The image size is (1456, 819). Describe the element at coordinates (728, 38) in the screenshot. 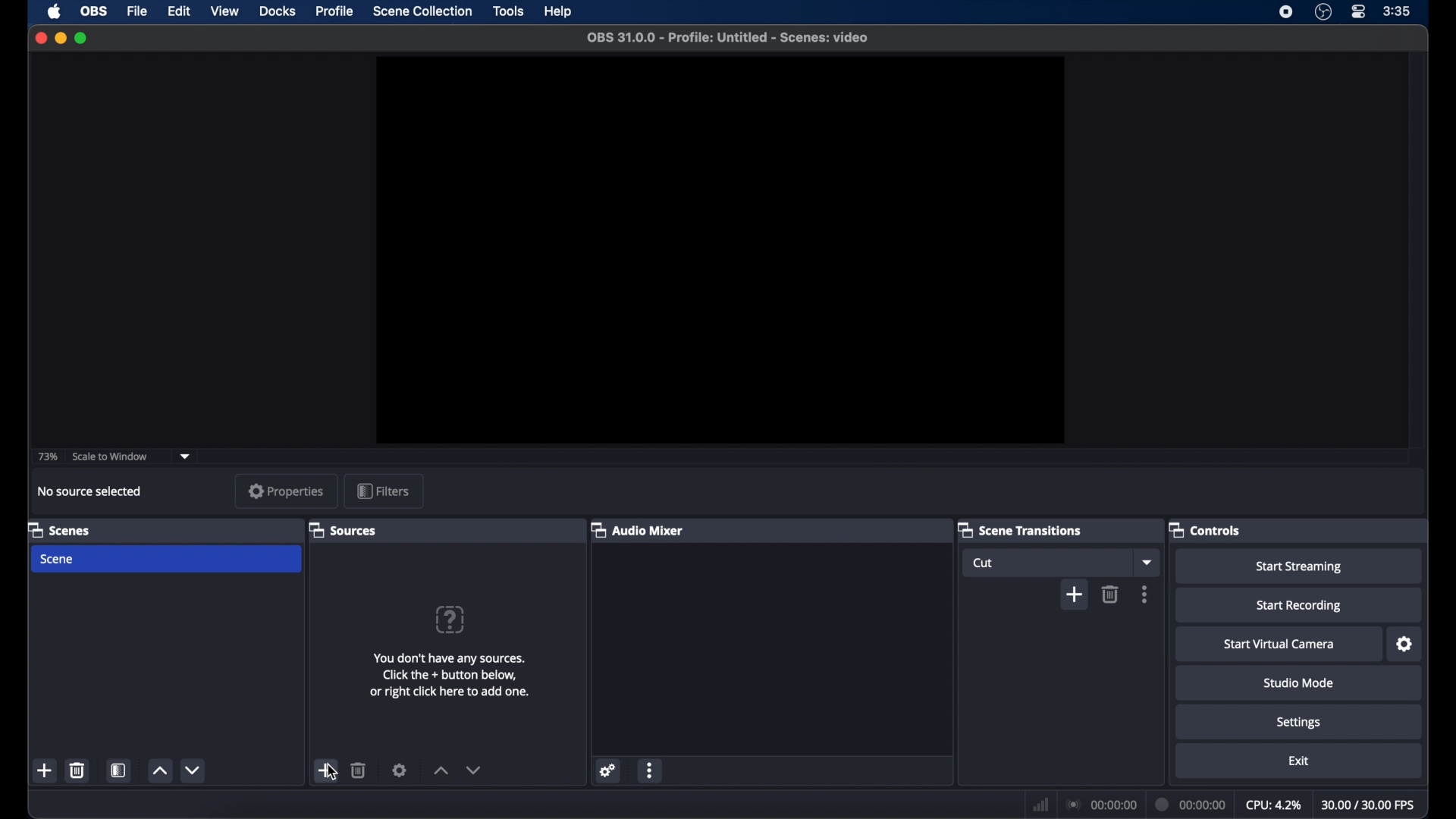

I see `file name` at that location.